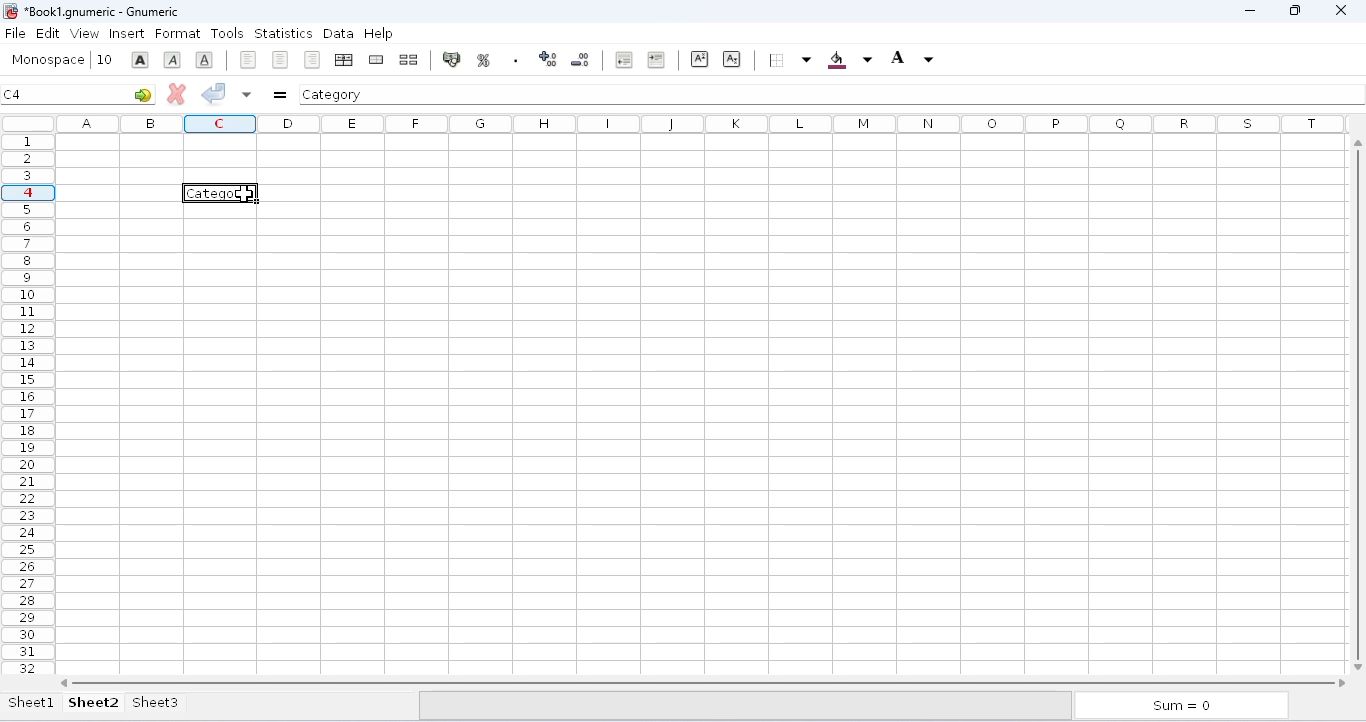 This screenshot has height=722, width=1366. Describe the element at coordinates (214, 92) in the screenshot. I see `accept change` at that location.